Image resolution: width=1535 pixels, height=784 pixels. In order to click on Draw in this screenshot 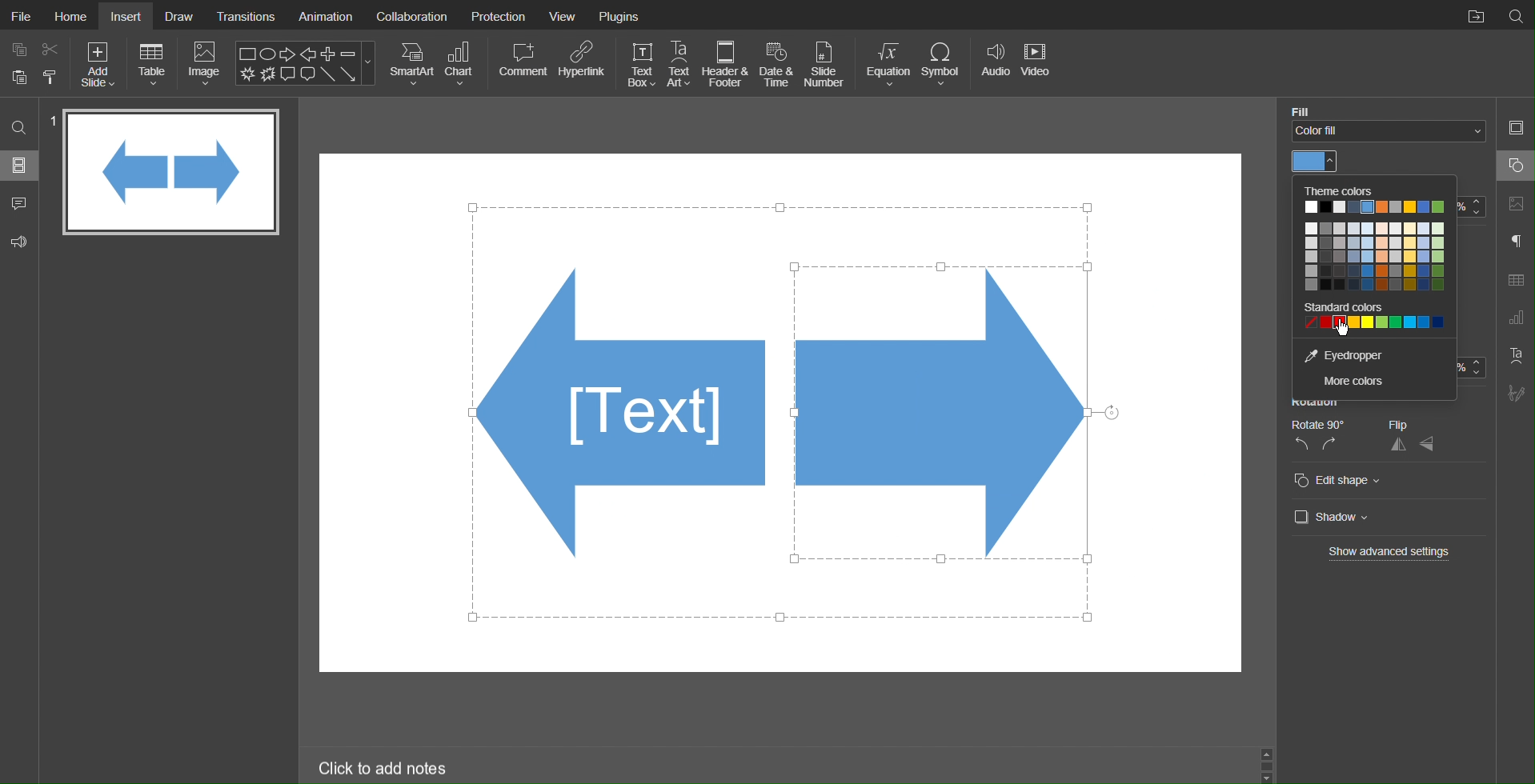, I will do `click(179, 15)`.